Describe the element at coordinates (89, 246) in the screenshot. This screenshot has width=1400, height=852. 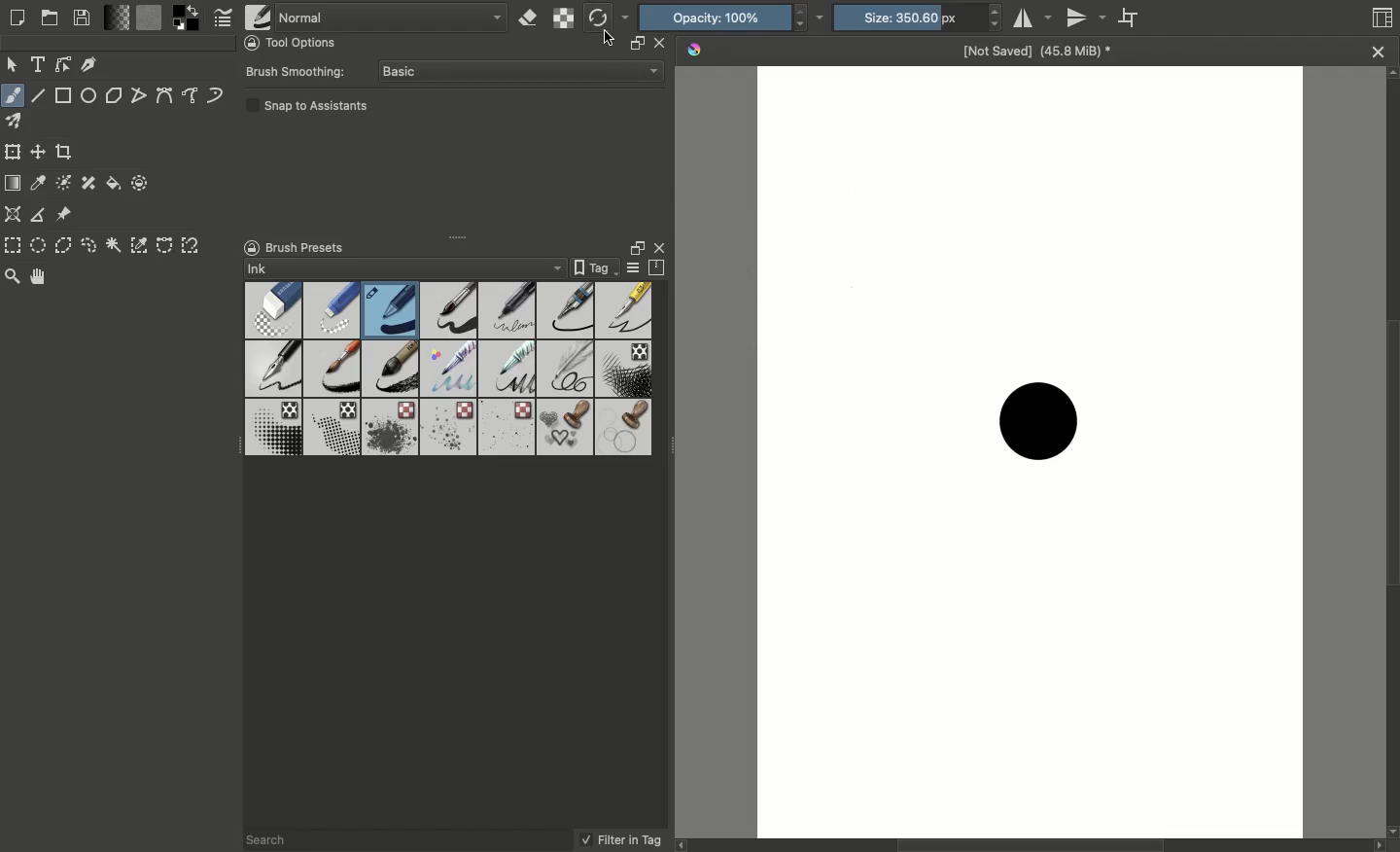
I see `Freeform selection tool` at that location.